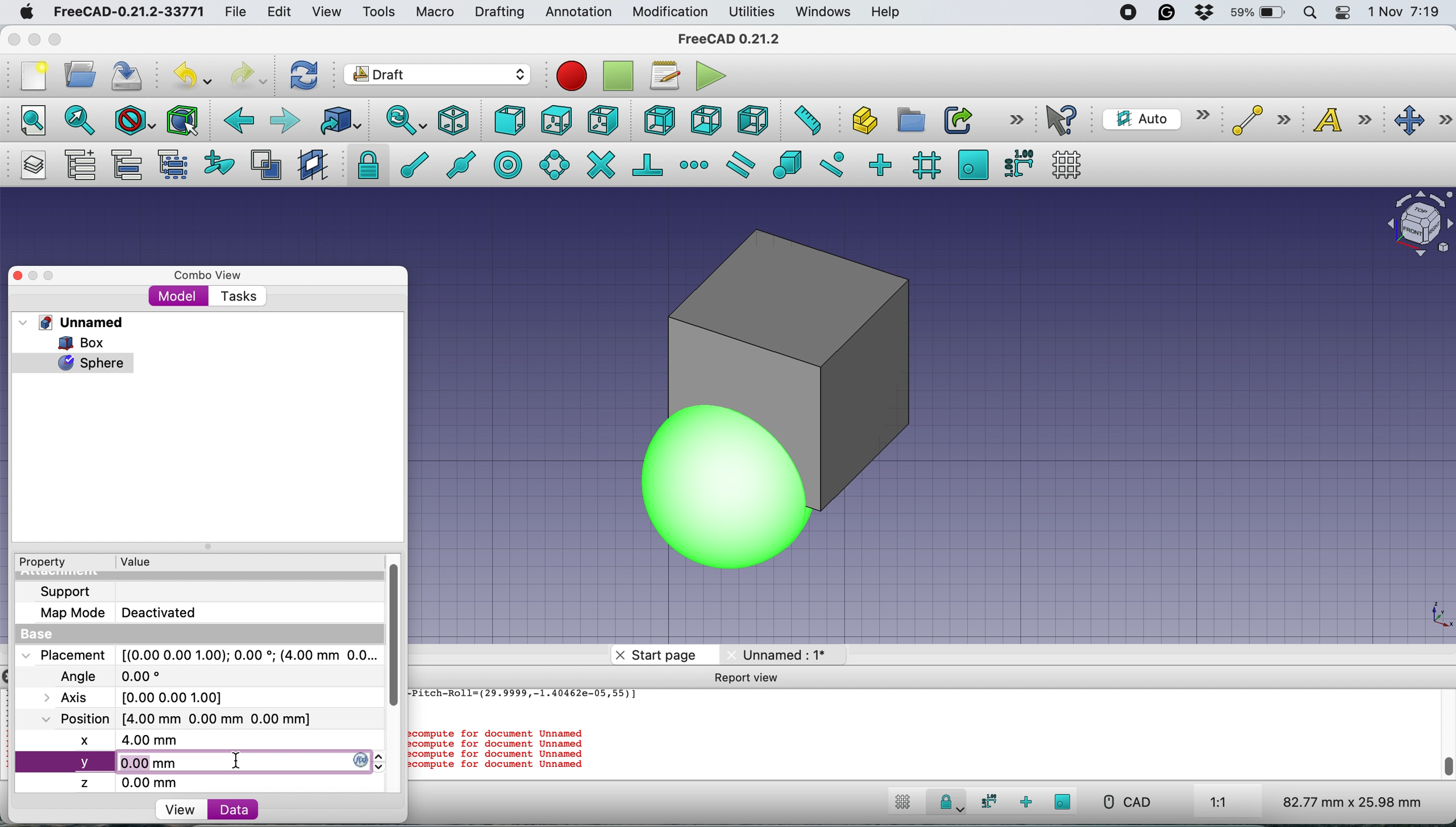 The image size is (1456, 827). I want to click on box, so click(906, 420).